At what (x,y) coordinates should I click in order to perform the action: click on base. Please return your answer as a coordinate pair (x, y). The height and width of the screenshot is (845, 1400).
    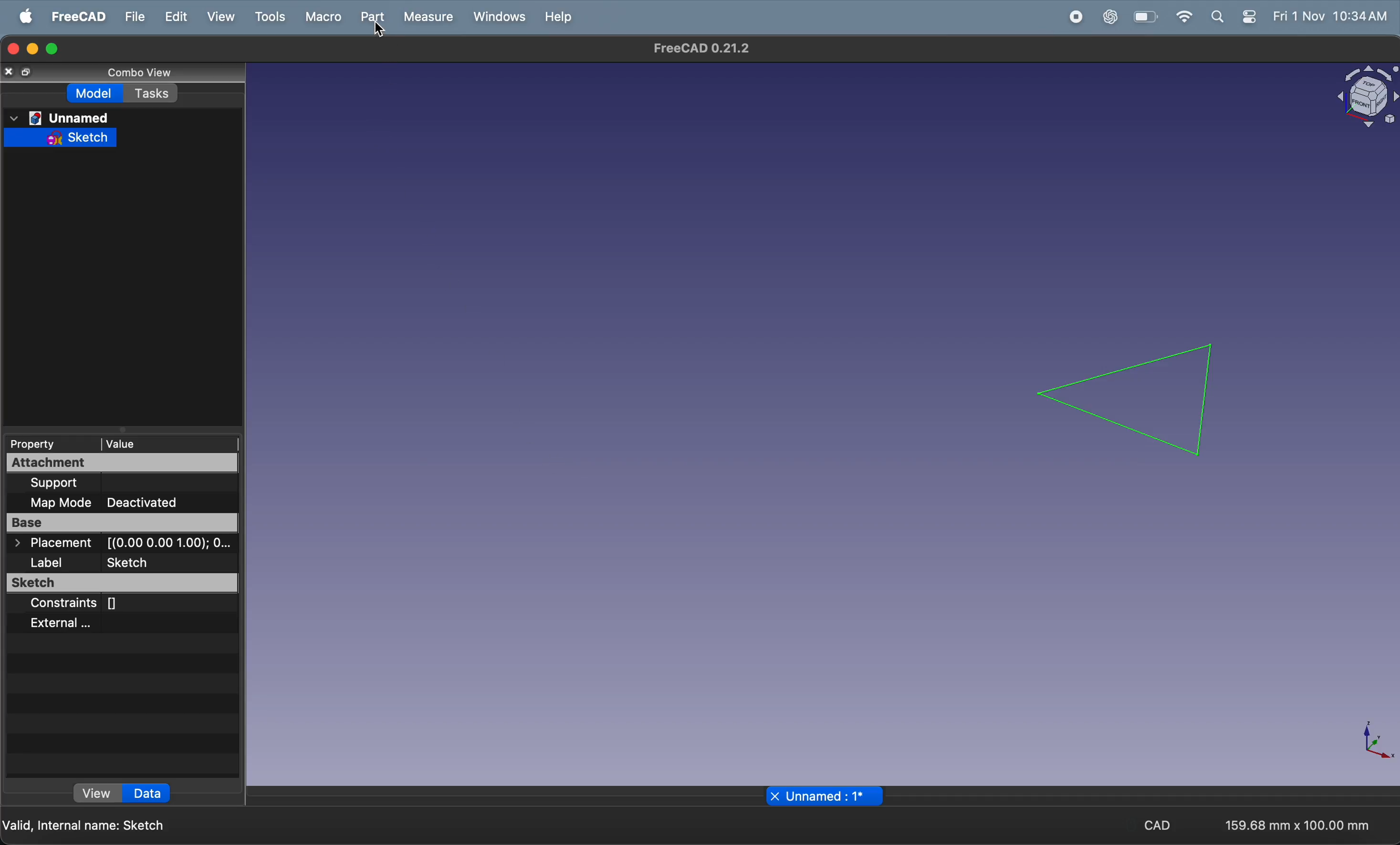
    Looking at the image, I should click on (122, 525).